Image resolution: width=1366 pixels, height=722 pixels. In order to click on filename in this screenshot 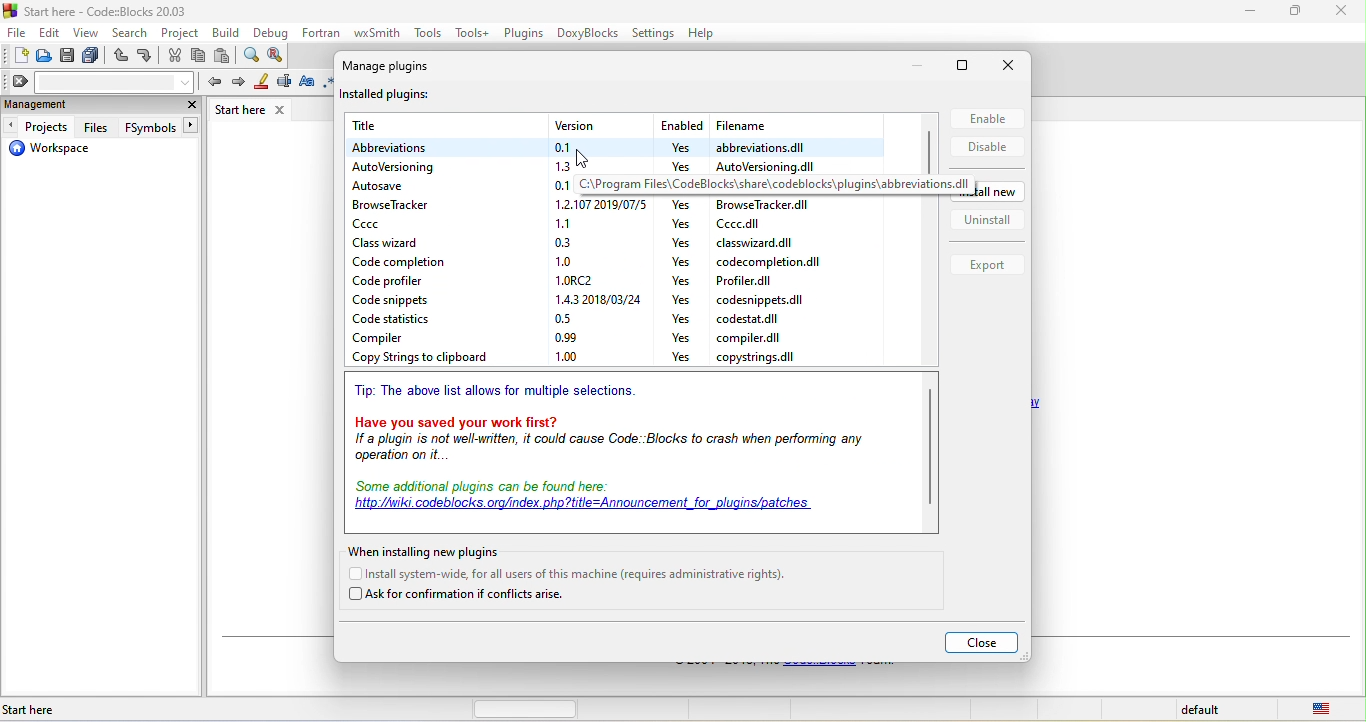, I will do `click(771, 123)`.